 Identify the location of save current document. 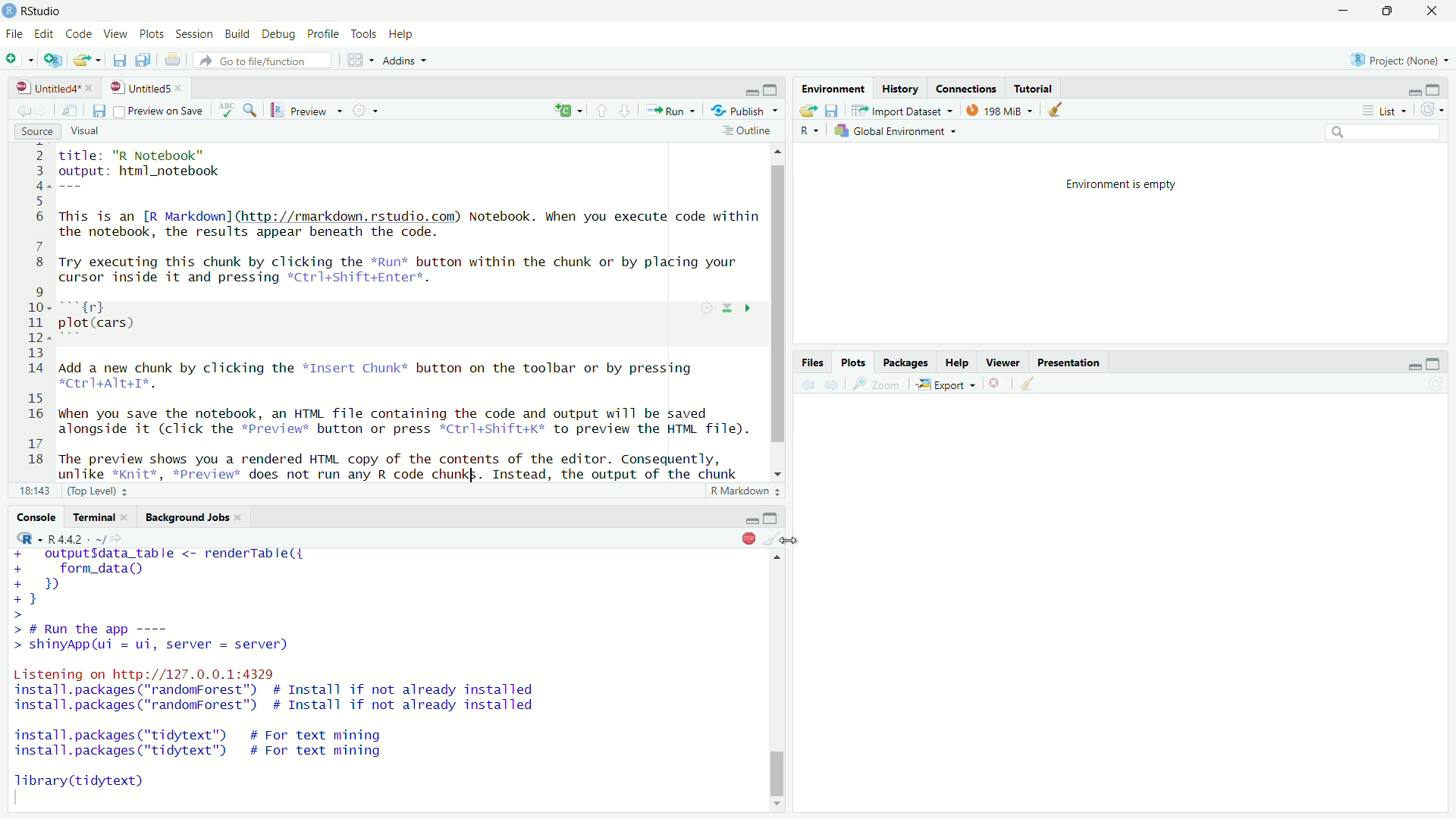
(120, 60).